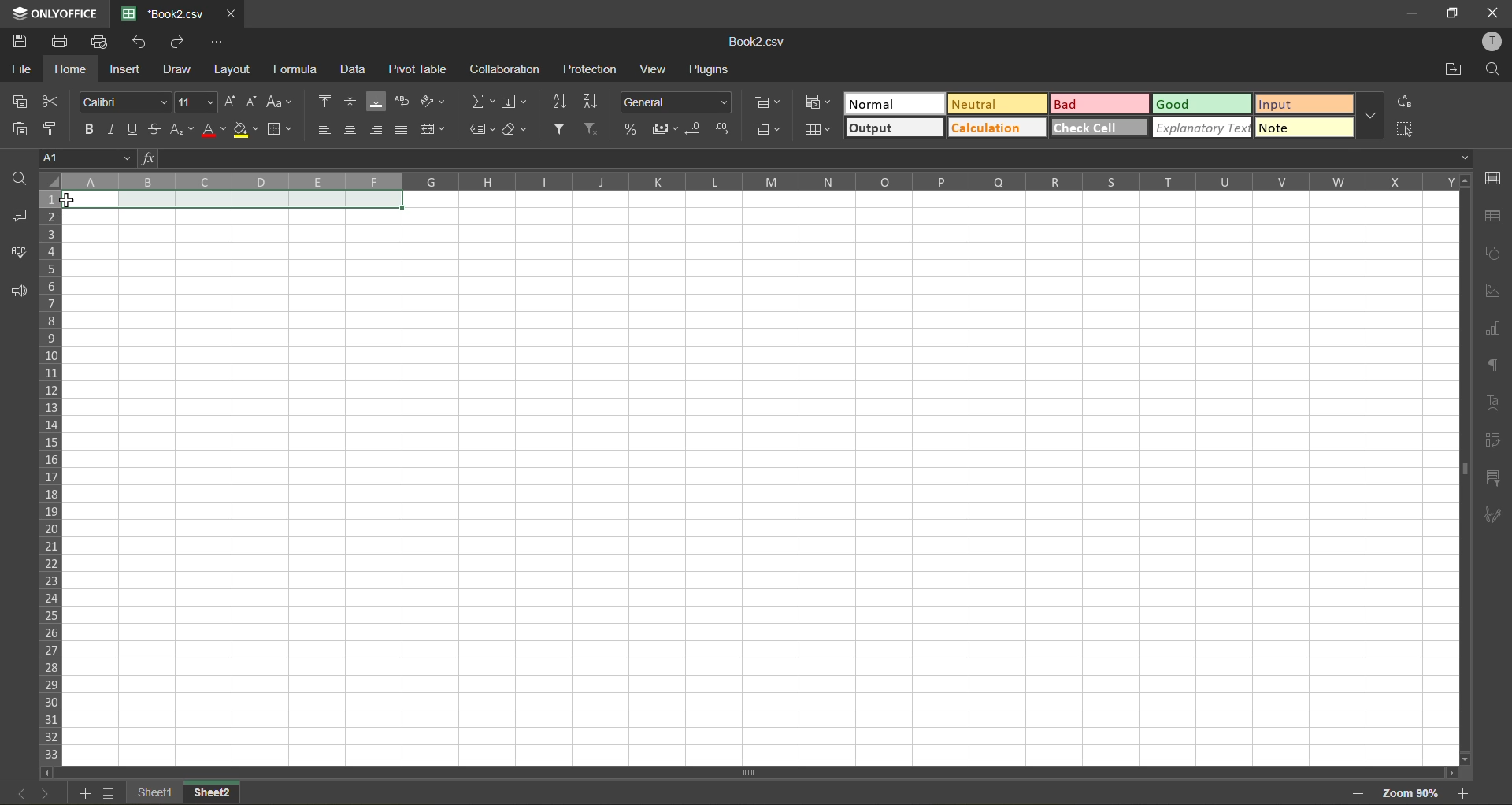 Image resolution: width=1512 pixels, height=805 pixels. Describe the element at coordinates (246, 129) in the screenshot. I see `fill color` at that location.